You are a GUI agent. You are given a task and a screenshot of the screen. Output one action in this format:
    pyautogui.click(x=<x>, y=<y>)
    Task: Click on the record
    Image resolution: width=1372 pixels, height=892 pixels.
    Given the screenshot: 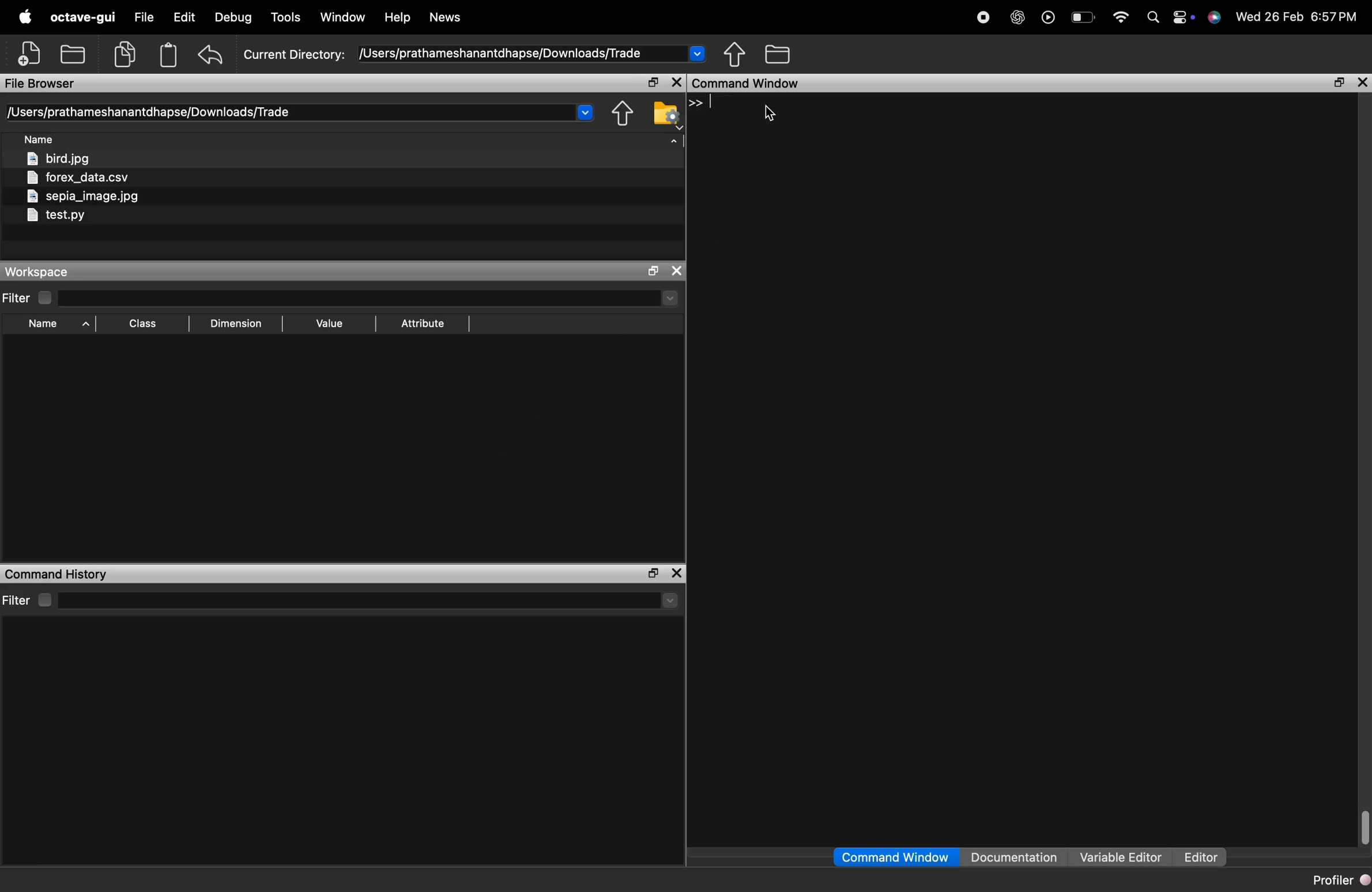 What is the action you would take?
    pyautogui.click(x=985, y=17)
    